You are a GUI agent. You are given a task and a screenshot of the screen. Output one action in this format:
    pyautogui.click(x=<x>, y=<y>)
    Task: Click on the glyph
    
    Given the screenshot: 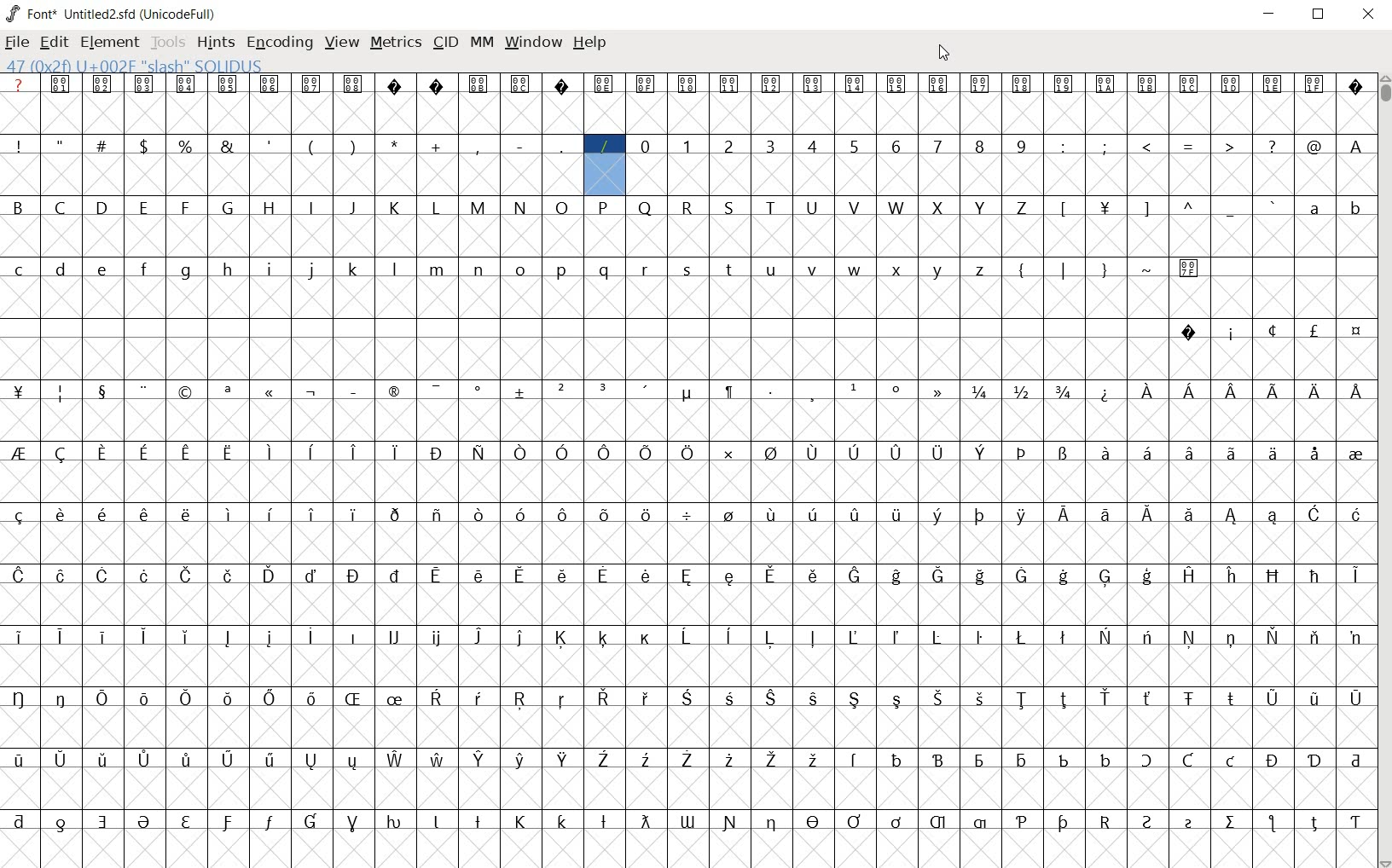 What is the action you would take?
    pyautogui.click(x=1273, y=699)
    